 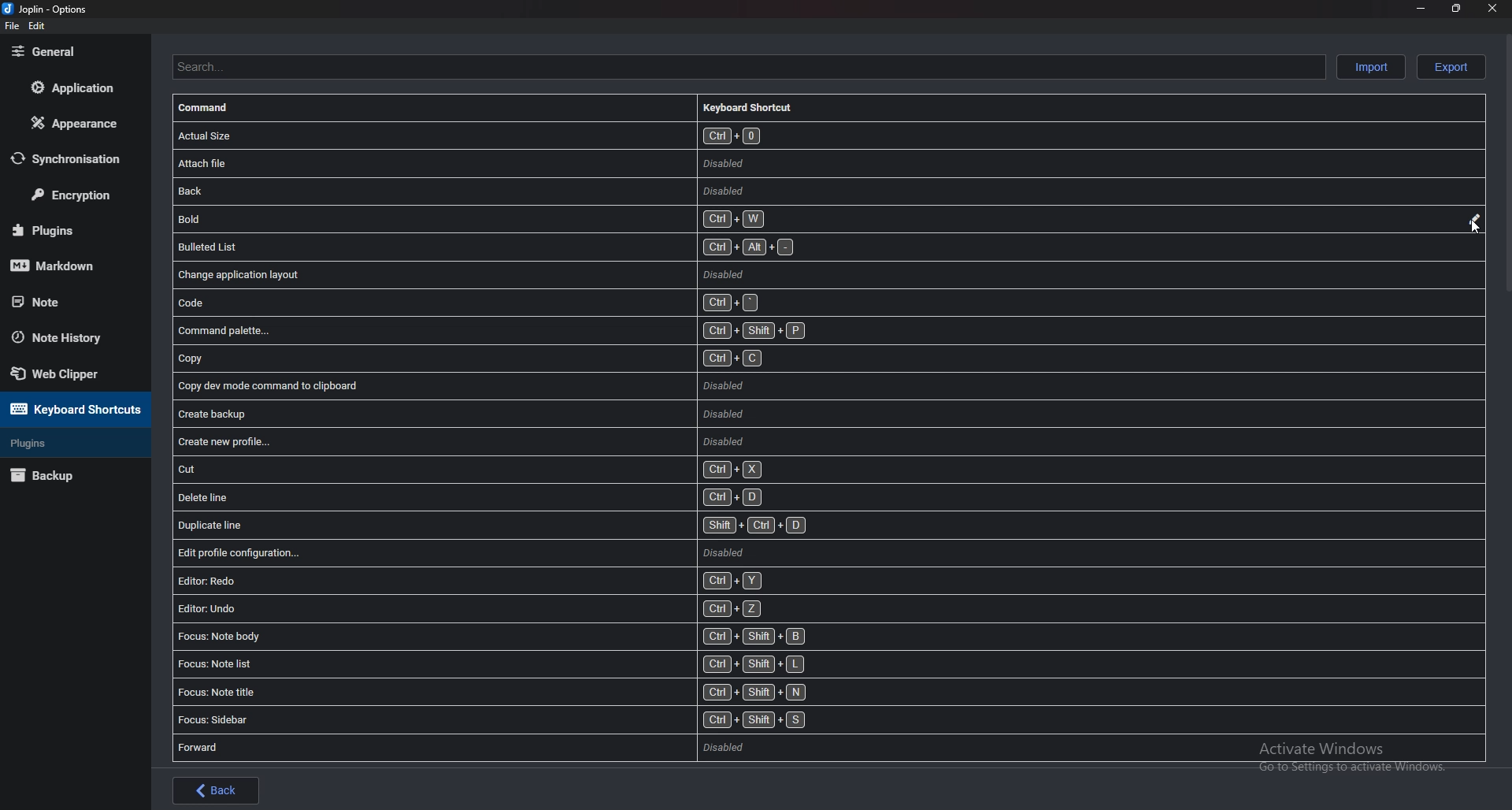 What do you see at coordinates (65, 229) in the screenshot?
I see `Plugins` at bounding box center [65, 229].